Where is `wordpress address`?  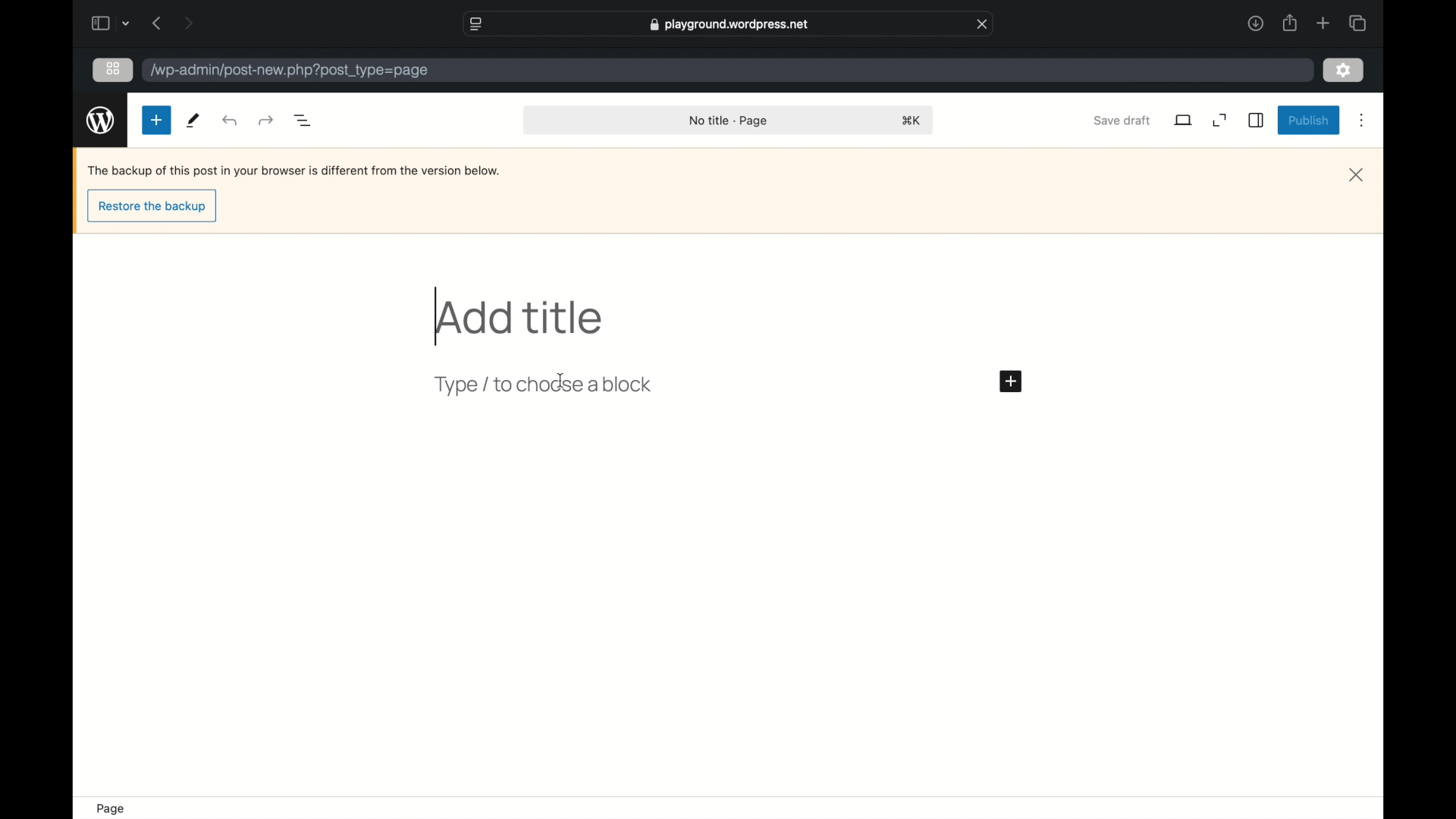 wordpress address is located at coordinates (290, 71).